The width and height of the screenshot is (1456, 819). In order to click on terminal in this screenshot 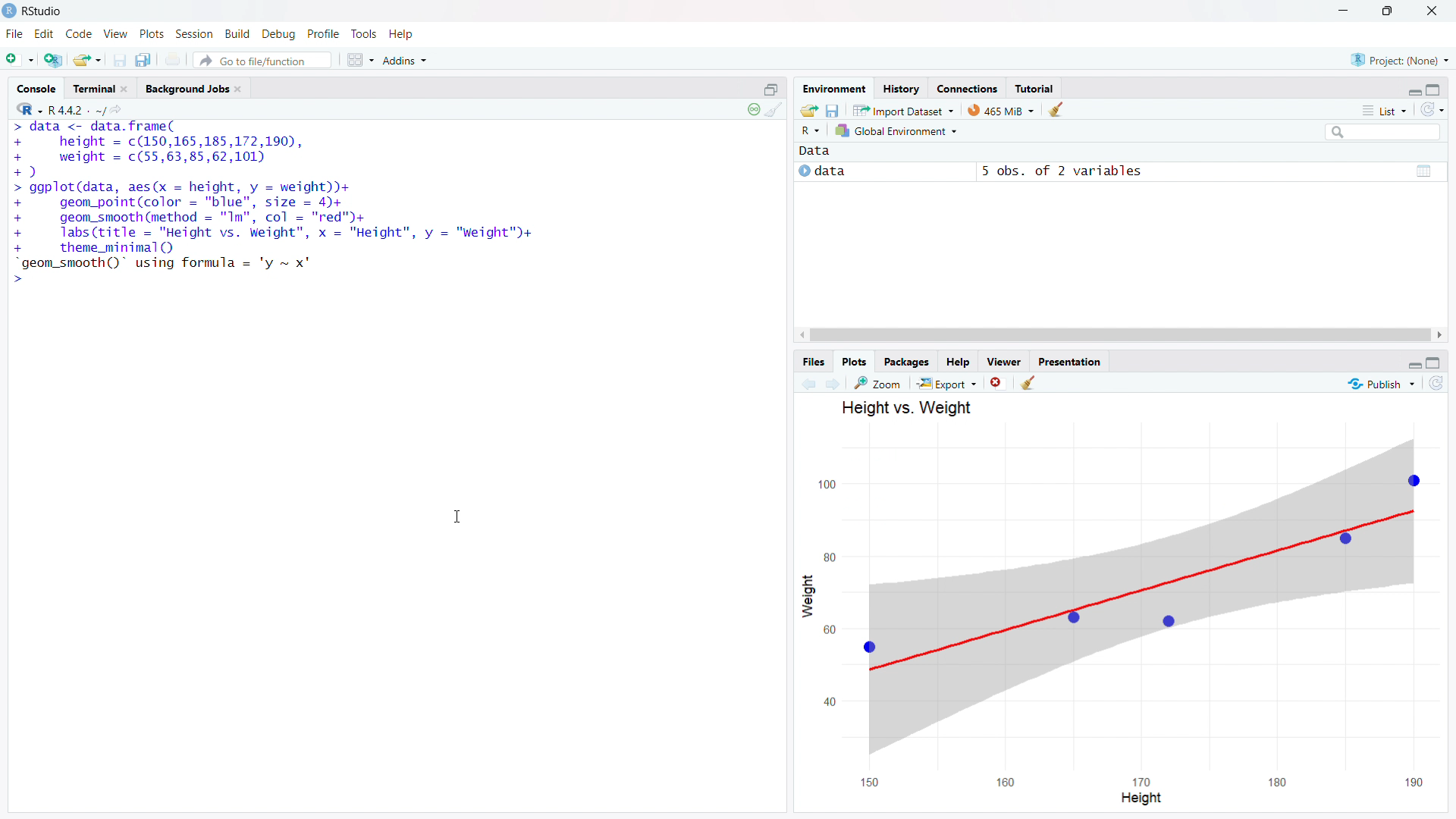, I will do `click(93, 89)`.